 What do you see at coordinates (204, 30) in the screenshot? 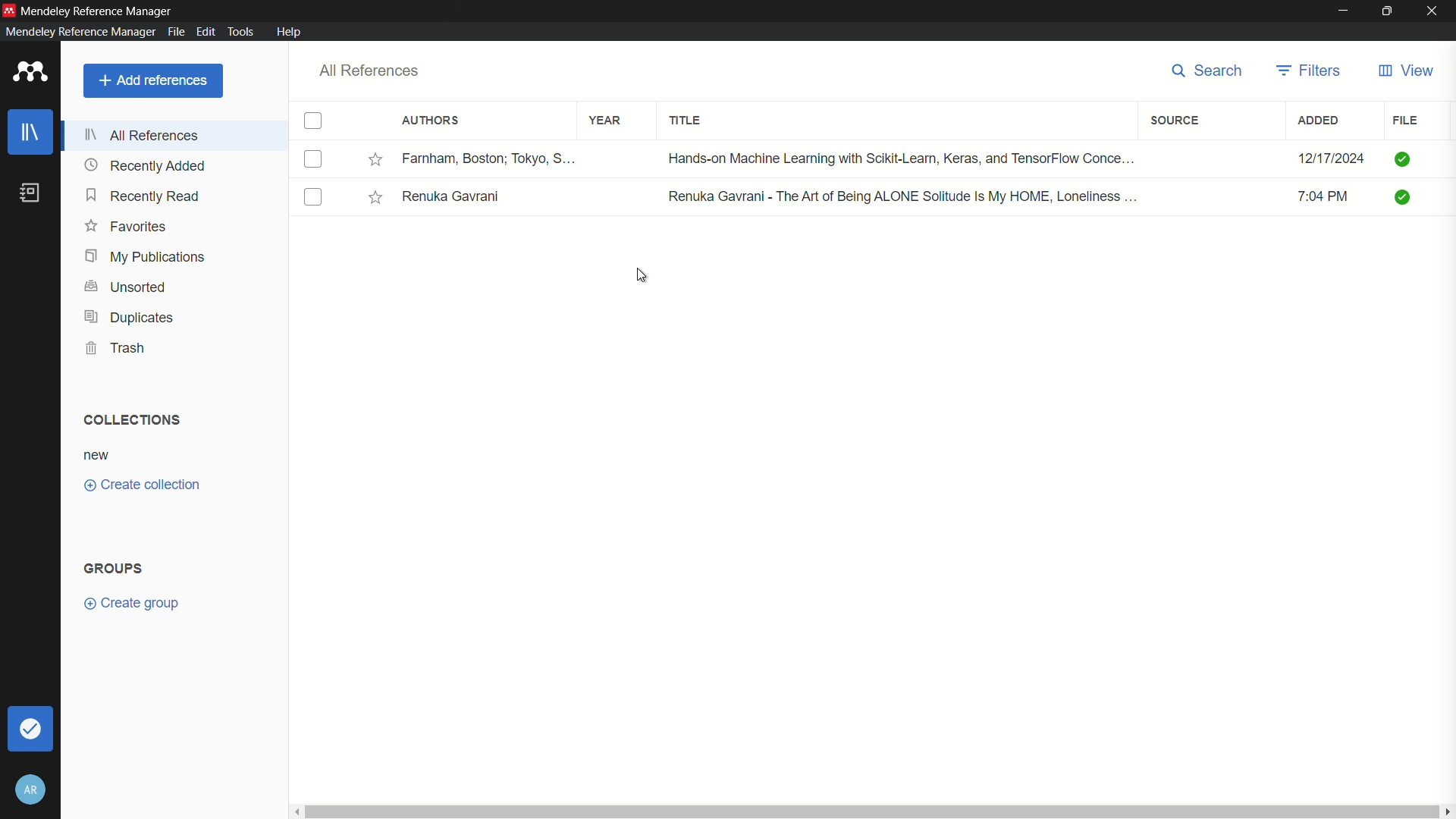
I see `edit menu` at bounding box center [204, 30].